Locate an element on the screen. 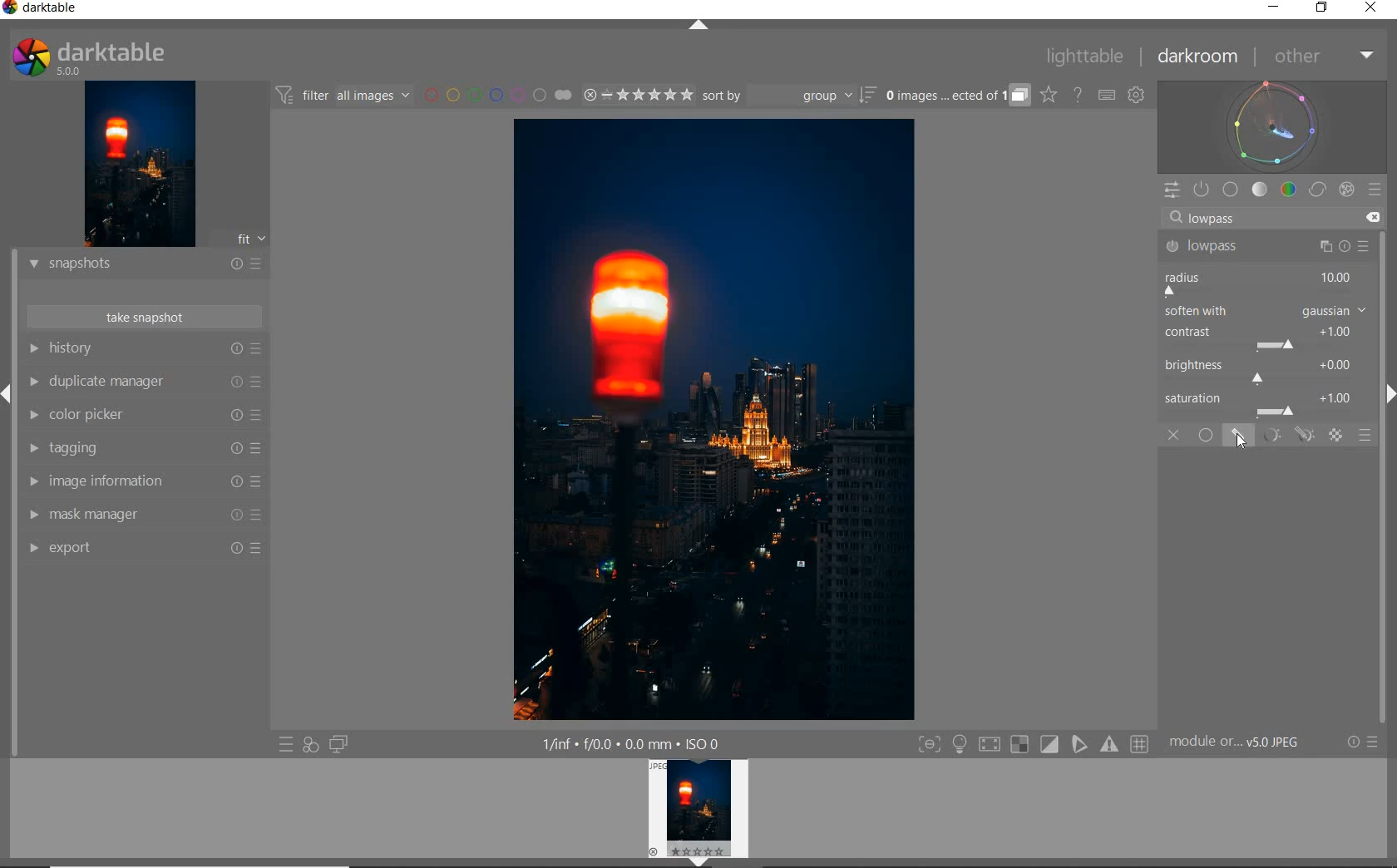  FILTER BY IMAGE COLOR LABEL is located at coordinates (498, 96).